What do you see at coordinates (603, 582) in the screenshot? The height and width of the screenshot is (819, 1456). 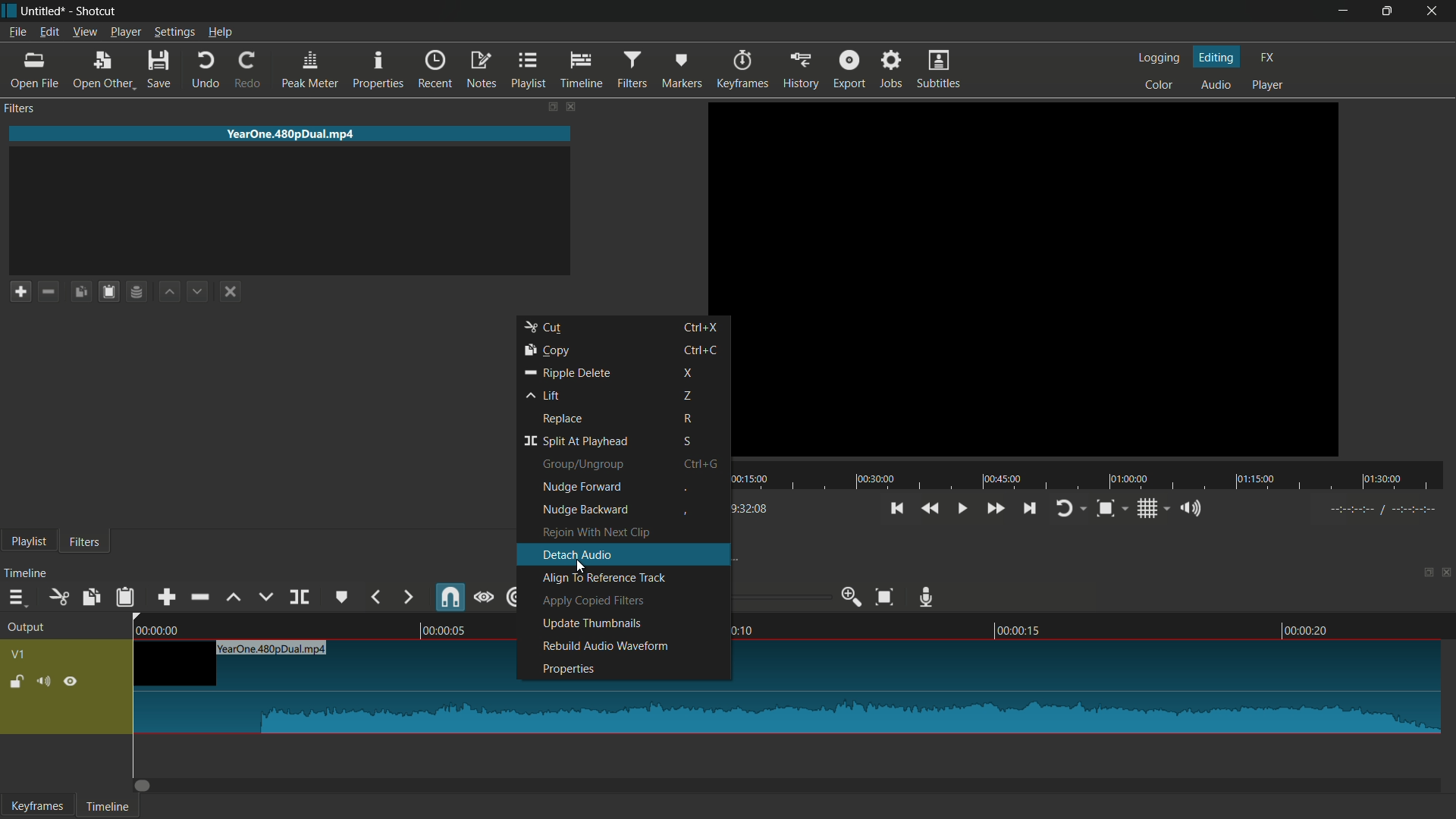 I see `align to reference track` at bounding box center [603, 582].